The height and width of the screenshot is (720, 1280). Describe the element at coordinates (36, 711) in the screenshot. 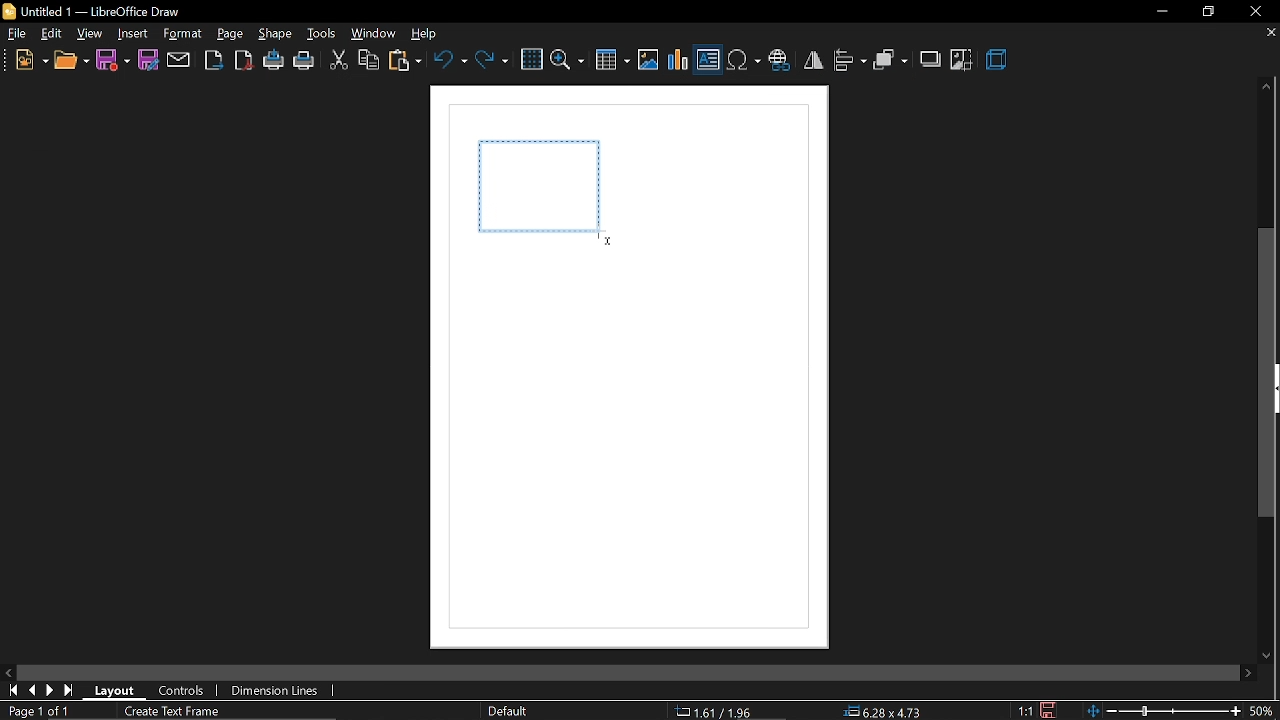

I see `current page` at that location.